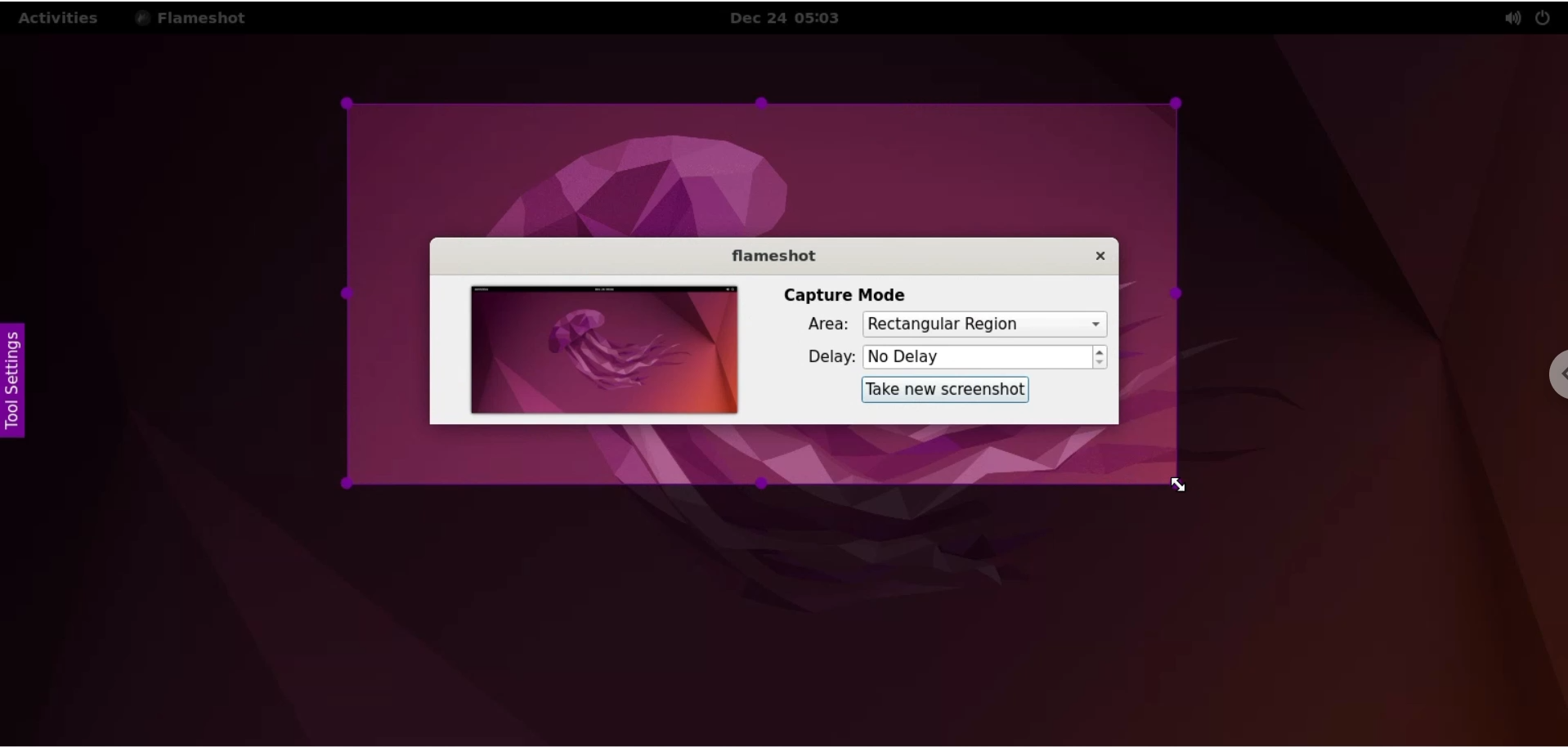  What do you see at coordinates (761, 295) in the screenshot?
I see `selected area` at bounding box center [761, 295].